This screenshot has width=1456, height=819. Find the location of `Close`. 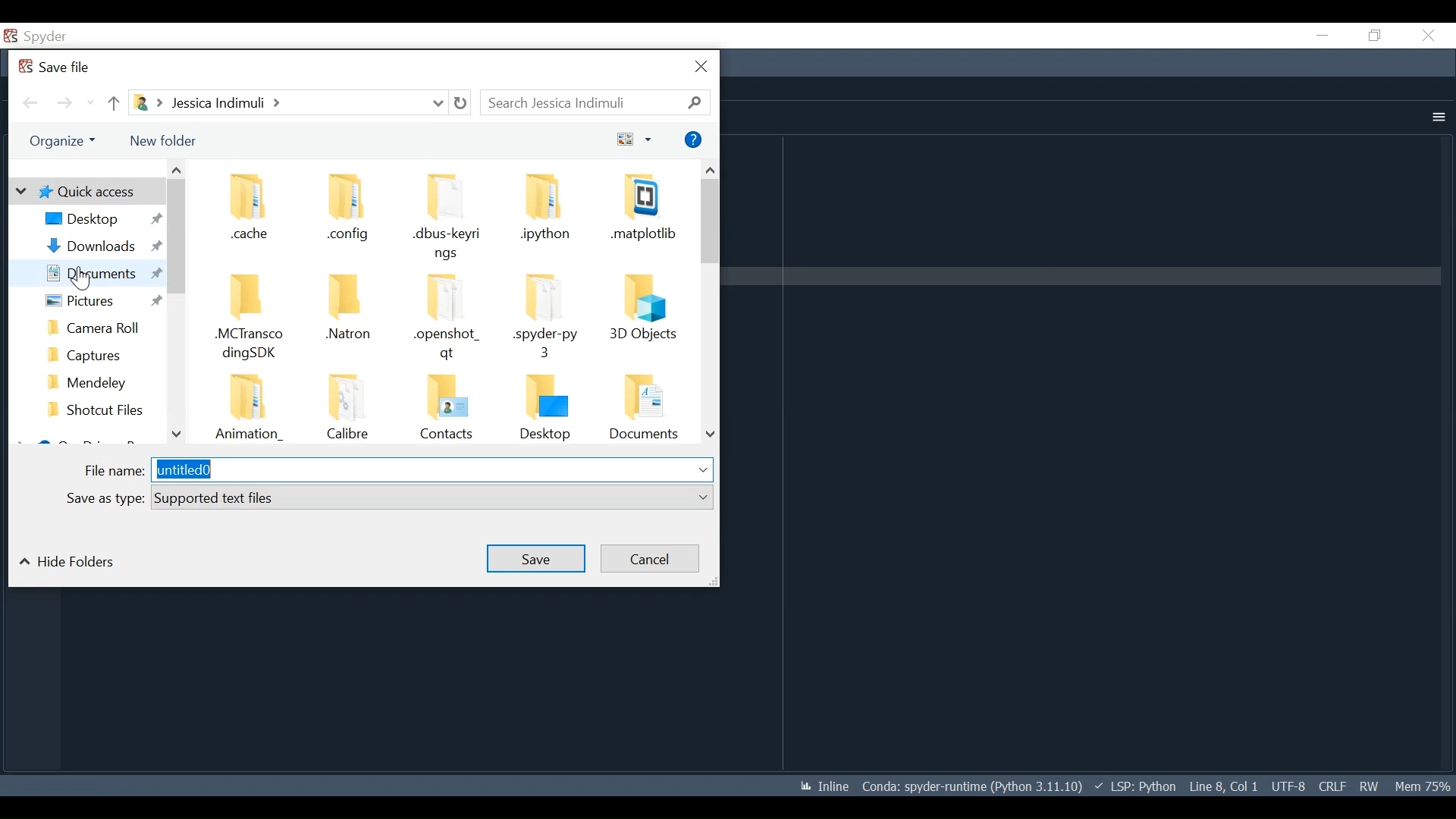

Close is located at coordinates (704, 67).